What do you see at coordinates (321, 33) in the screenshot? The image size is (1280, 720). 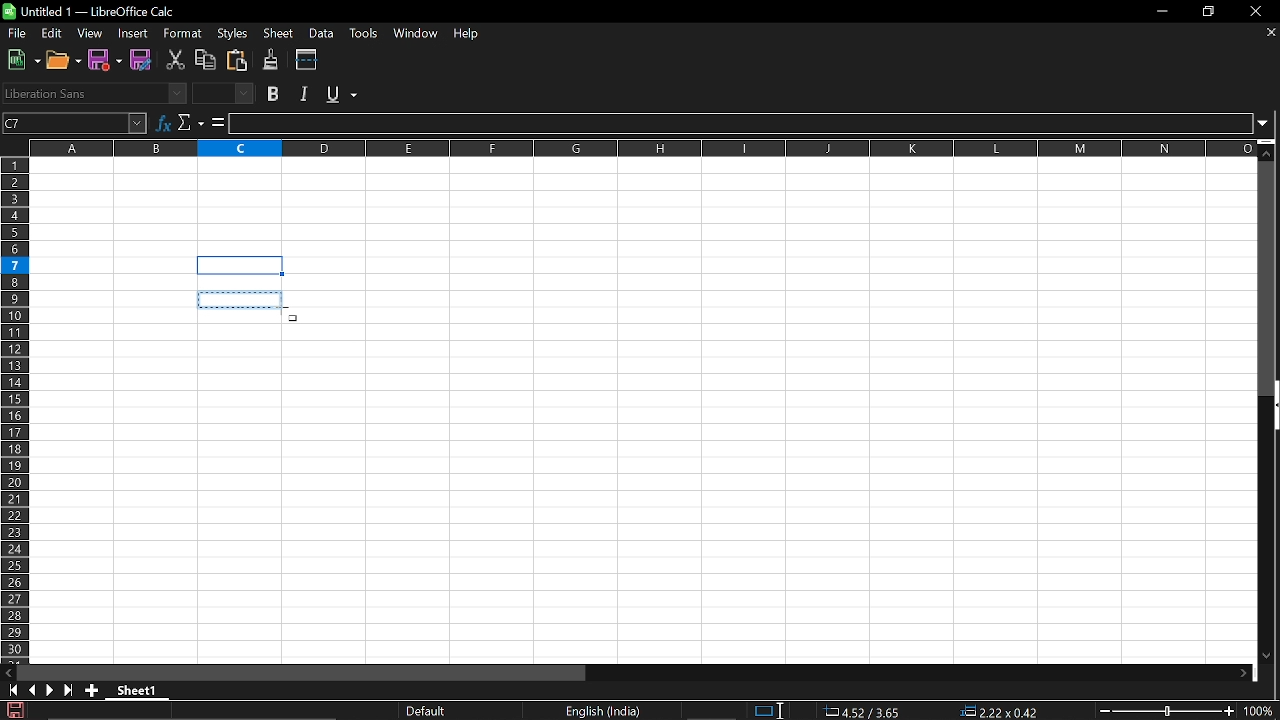 I see `Data` at bounding box center [321, 33].